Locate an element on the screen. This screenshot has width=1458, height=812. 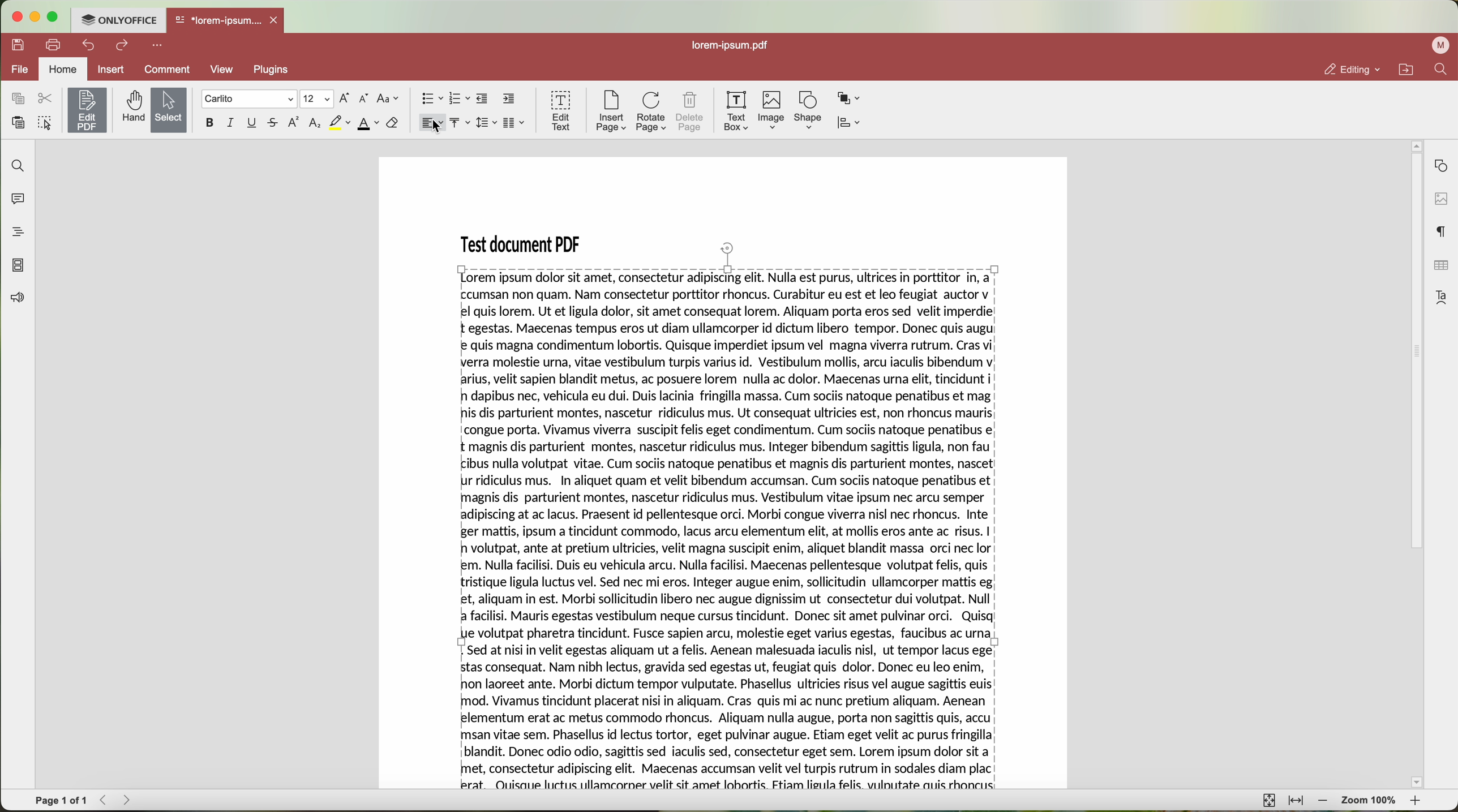
zoom out is located at coordinates (1321, 801).